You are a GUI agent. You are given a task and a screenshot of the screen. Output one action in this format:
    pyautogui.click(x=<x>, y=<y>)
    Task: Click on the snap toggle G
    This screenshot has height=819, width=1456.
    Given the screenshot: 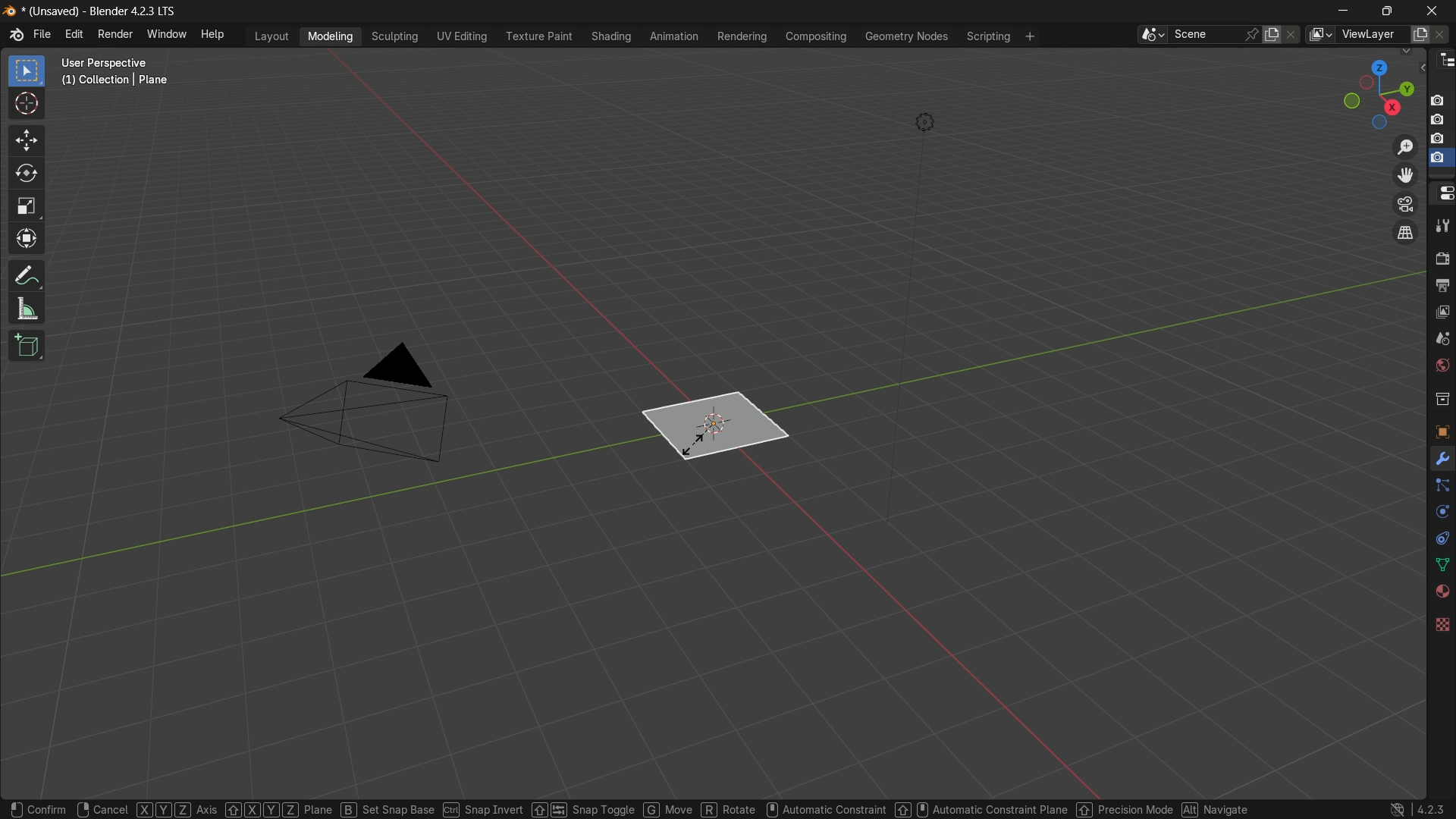 What is the action you would take?
    pyautogui.click(x=614, y=806)
    